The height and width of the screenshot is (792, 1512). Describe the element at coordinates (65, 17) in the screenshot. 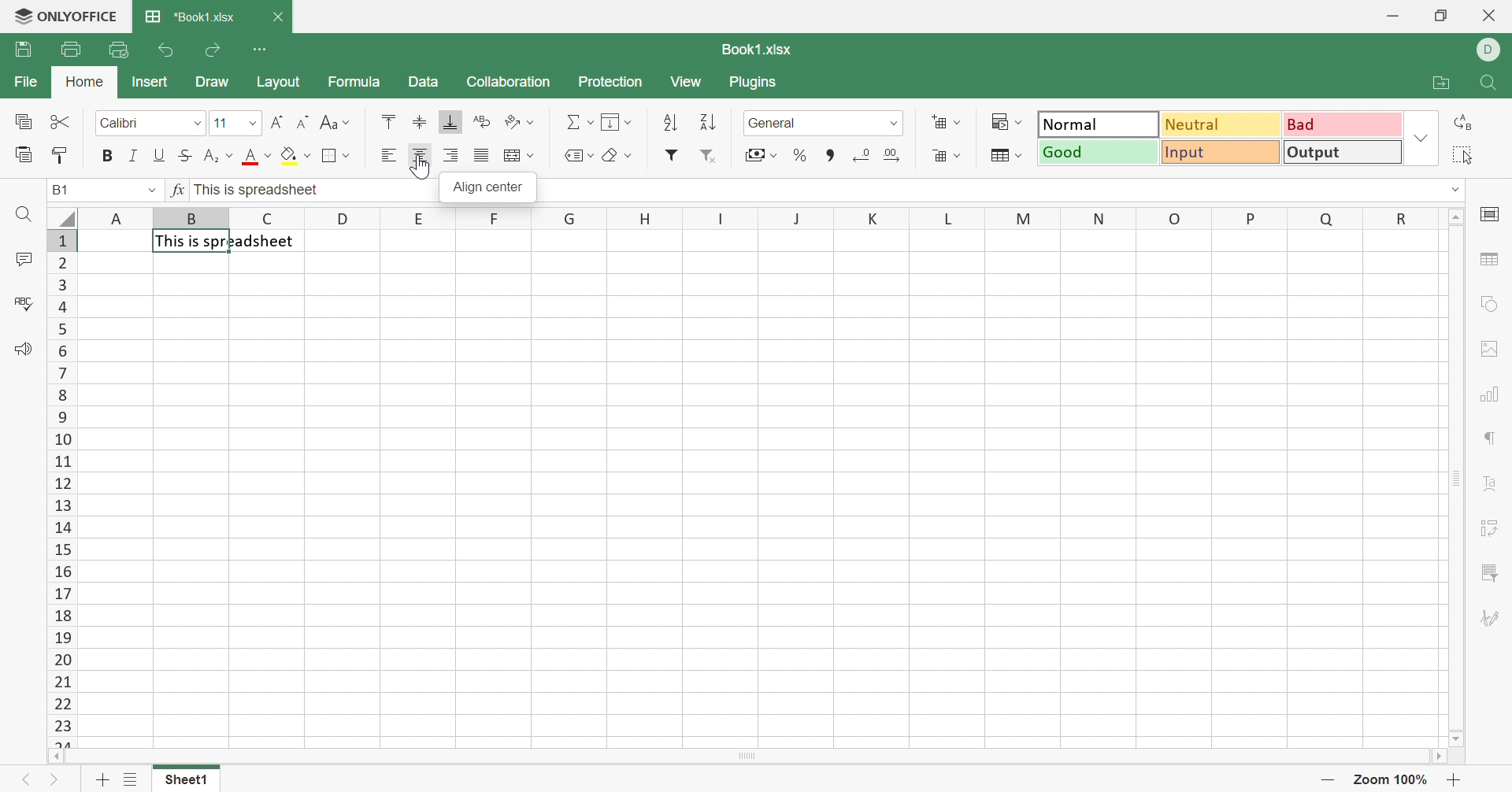

I see `ONLYOFFICE` at that location.